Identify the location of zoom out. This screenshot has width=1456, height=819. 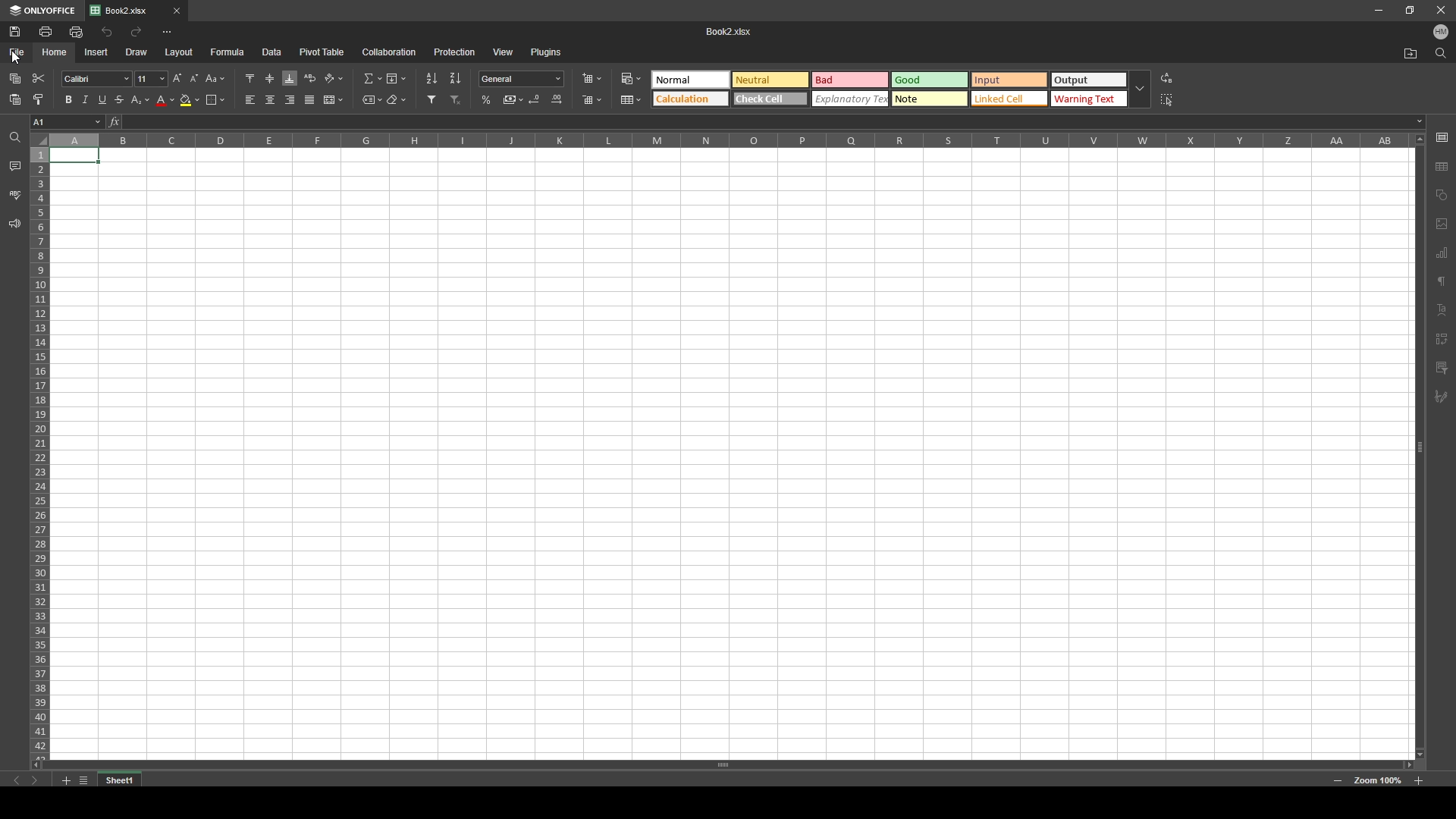
(1338, 780).